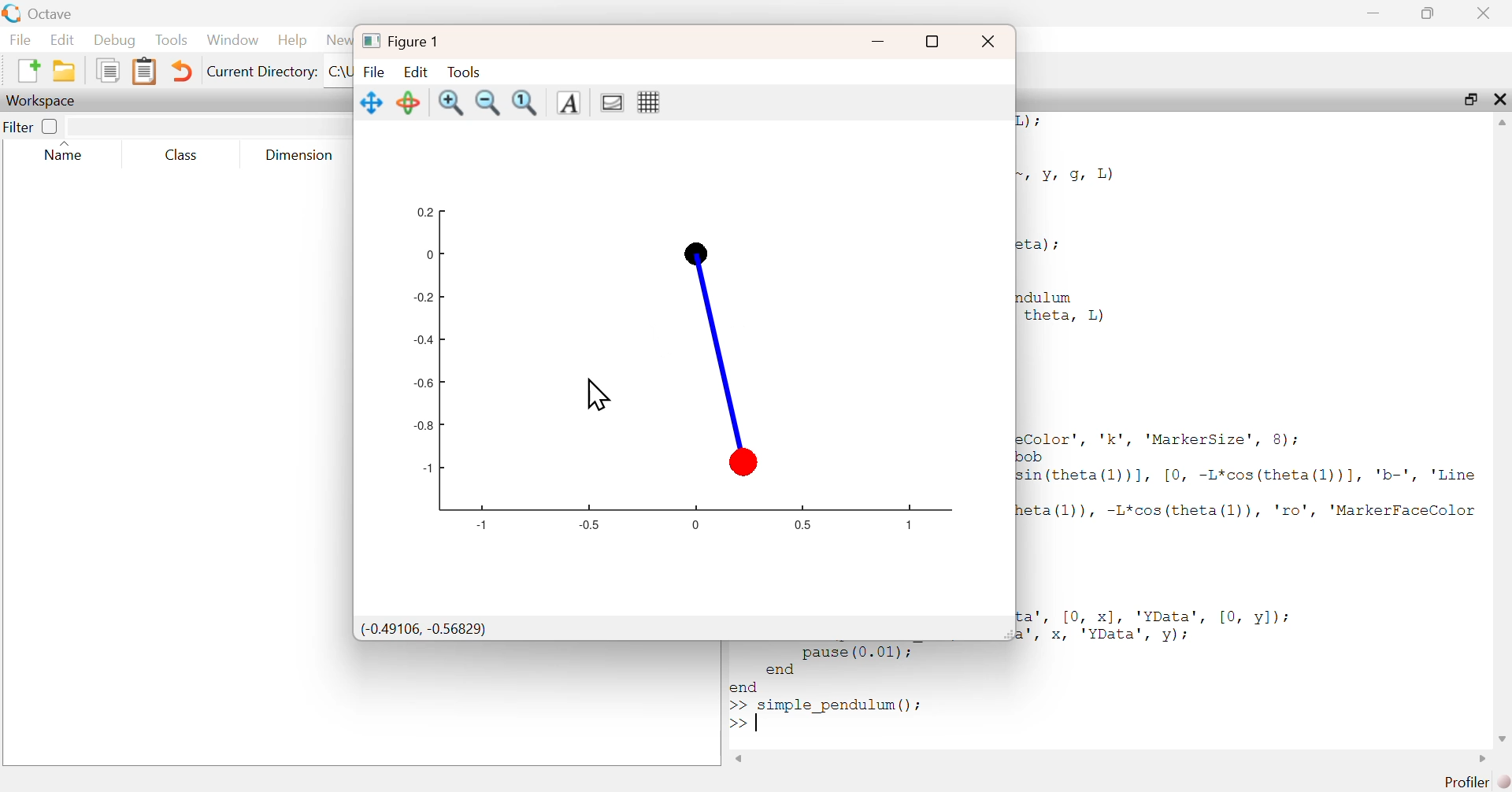 Image resolution: width=1512 pixels, height=792 pixels. Describe the element at coordinates (264, 74) in the screenshot. I see `Current Directory:` at that location.